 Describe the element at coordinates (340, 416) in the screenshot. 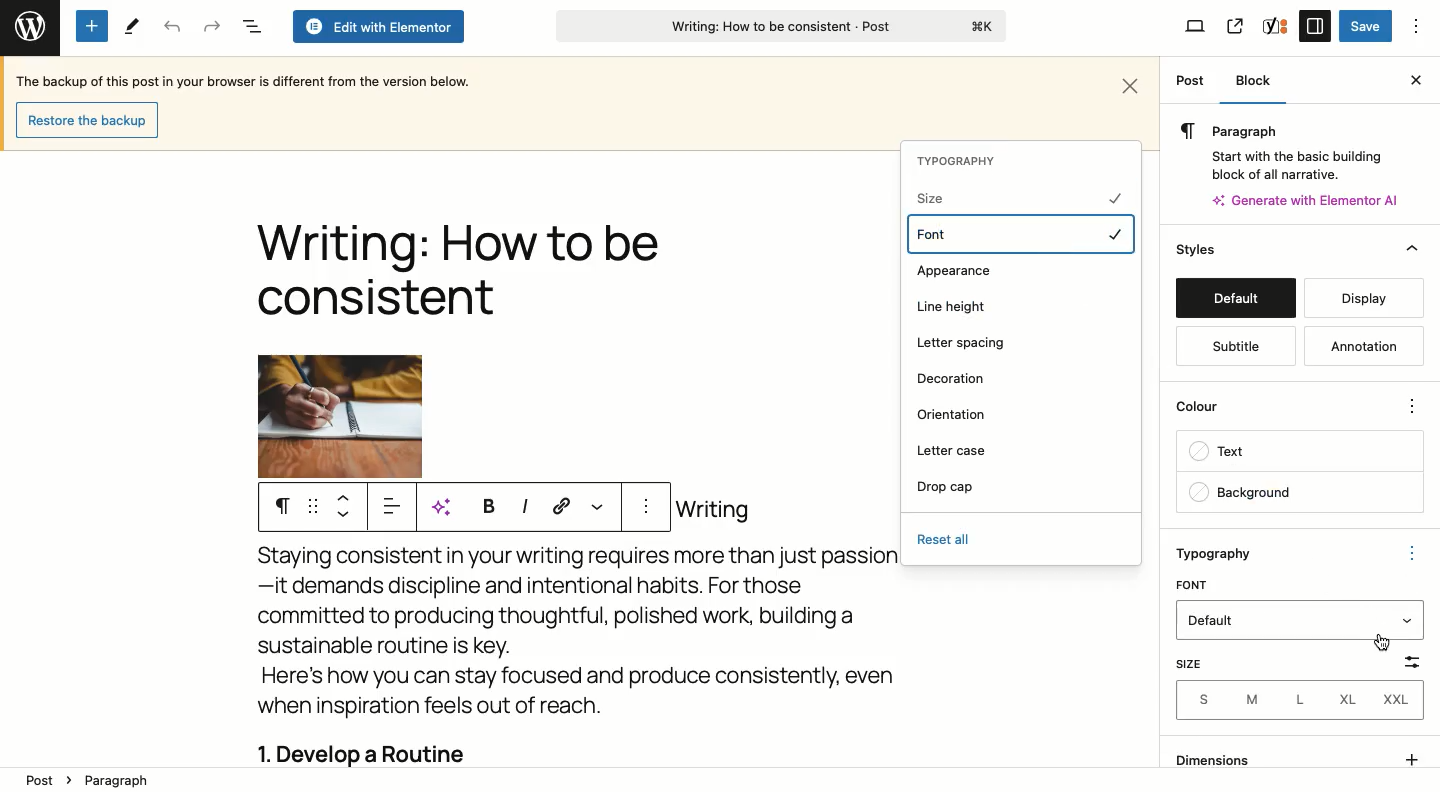

I see `Image` at that location.